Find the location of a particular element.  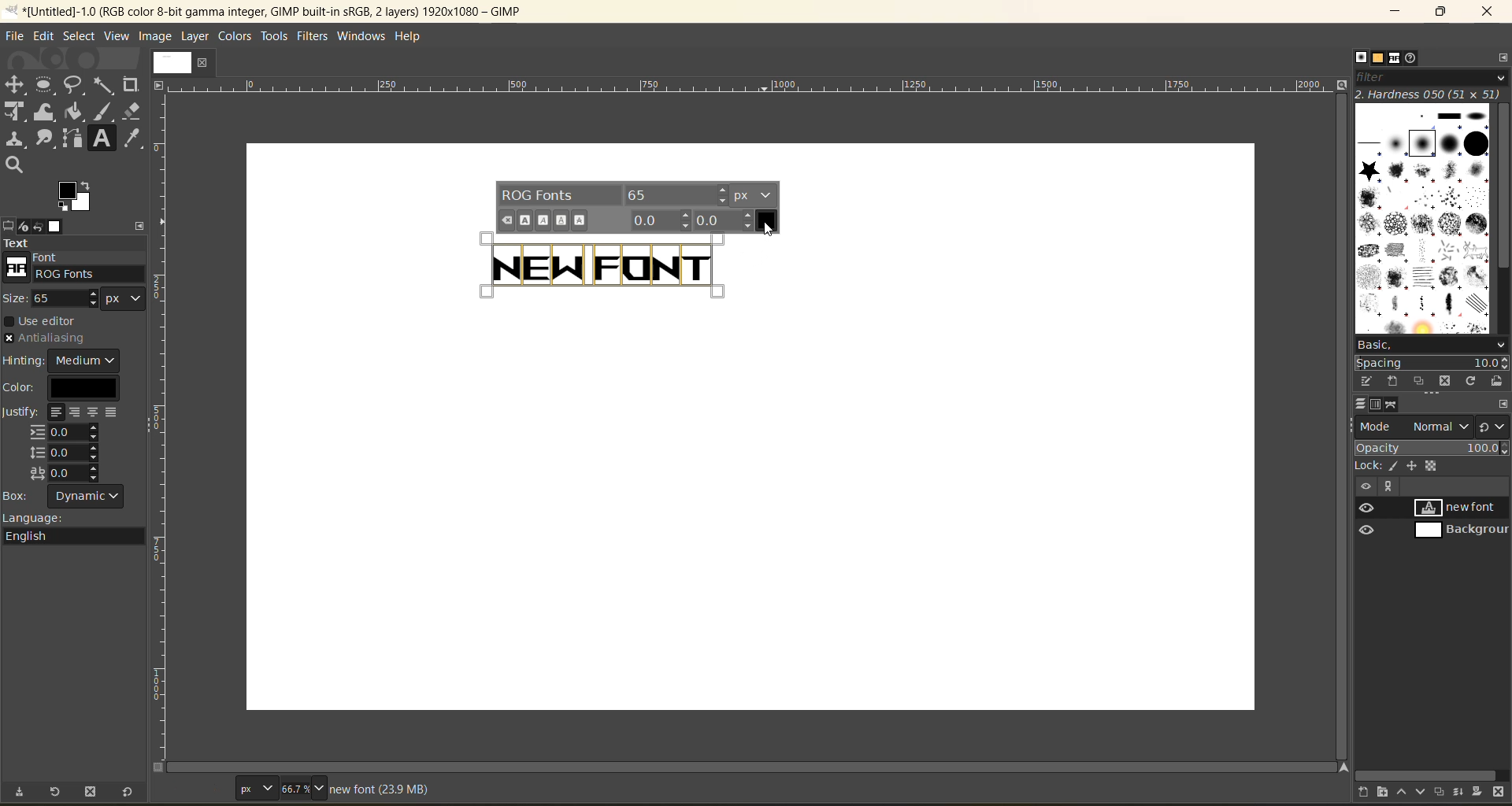

filter is located at coordinates (1430, 81).